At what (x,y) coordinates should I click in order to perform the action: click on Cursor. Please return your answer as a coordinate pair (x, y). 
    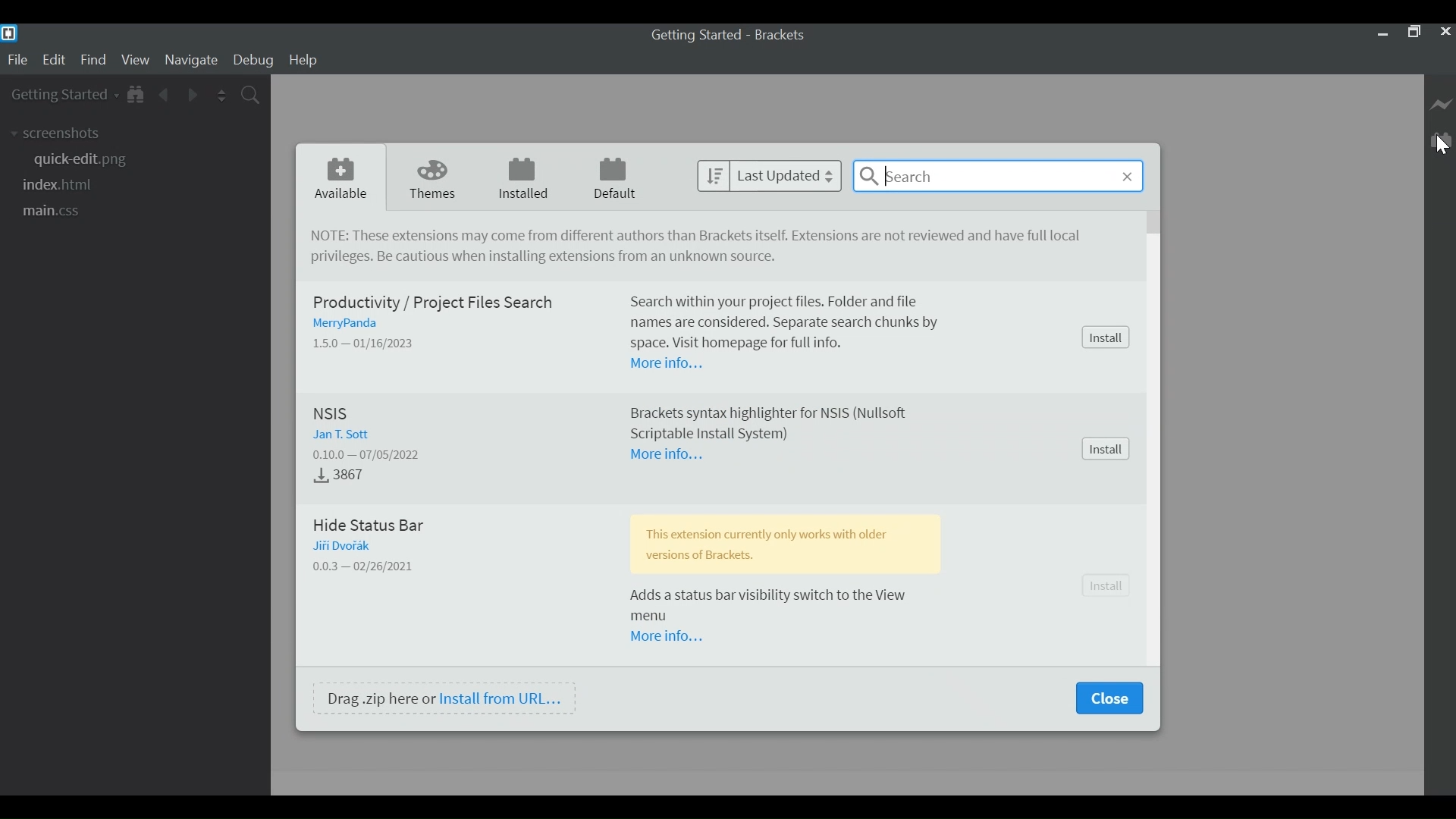
    Looking at the image, I should click on (1441, 147).